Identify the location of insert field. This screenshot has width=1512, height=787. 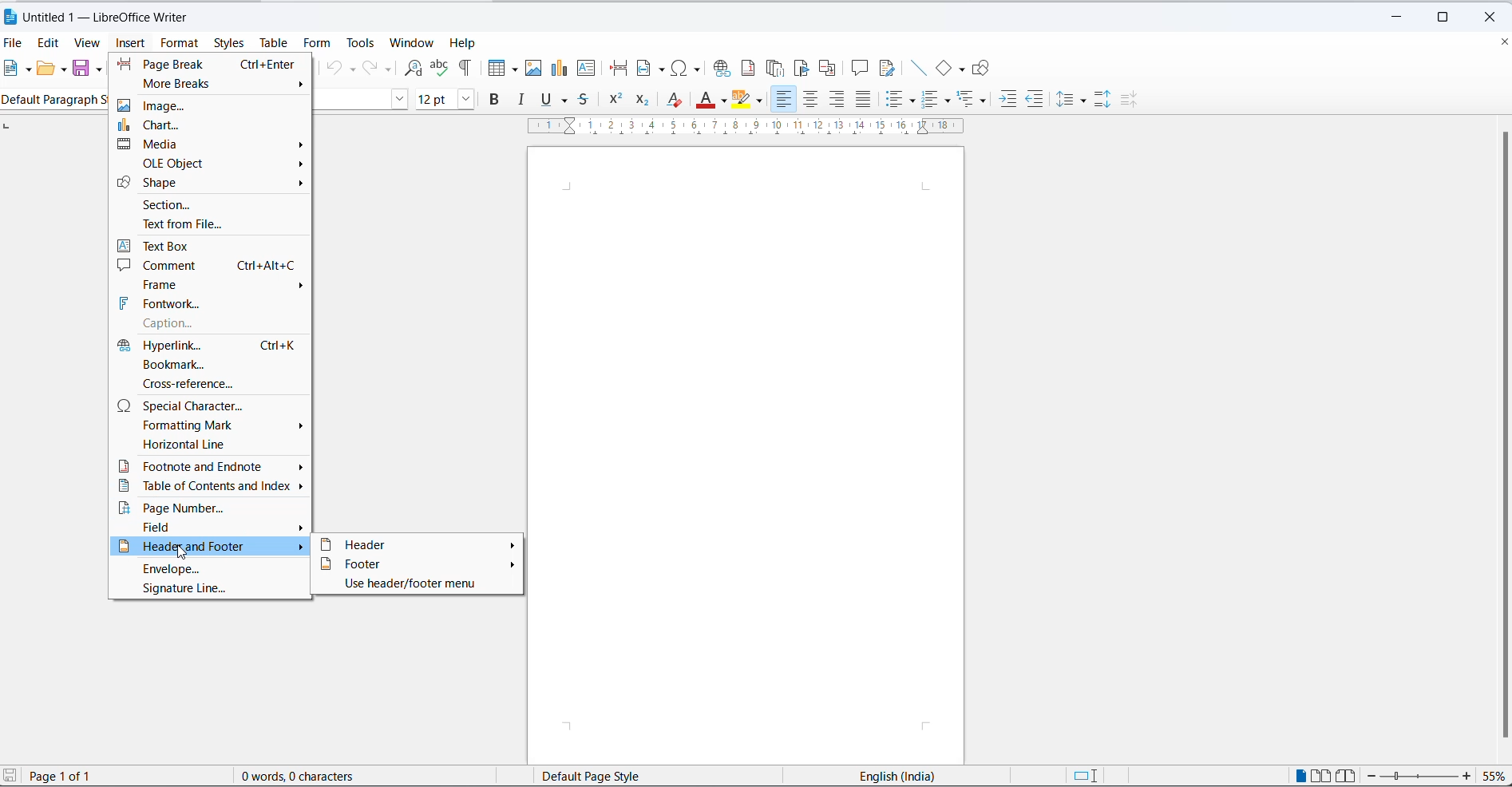
(649, 69).